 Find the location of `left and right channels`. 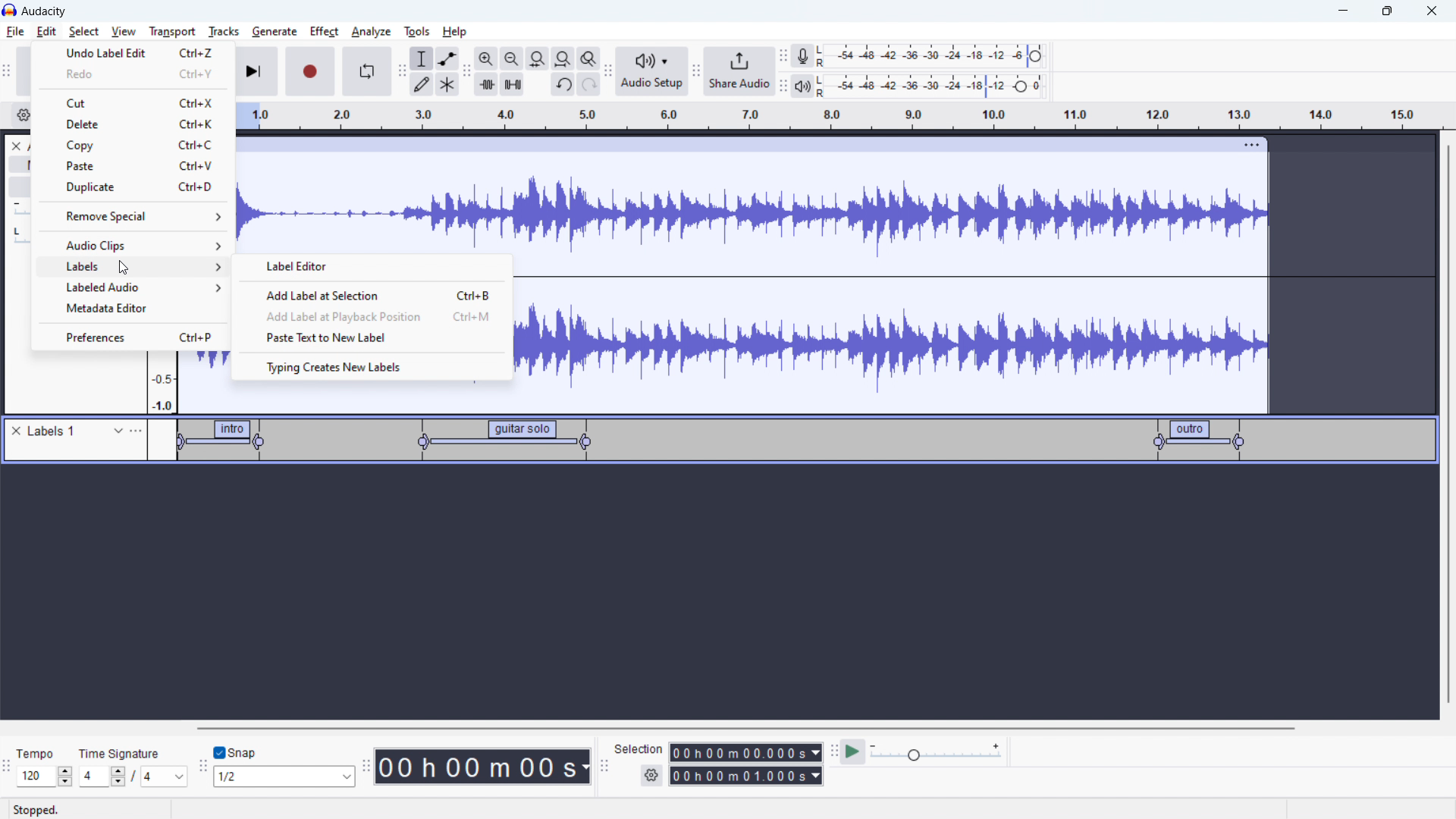

left and right channels is located at coordinates (824, 58).